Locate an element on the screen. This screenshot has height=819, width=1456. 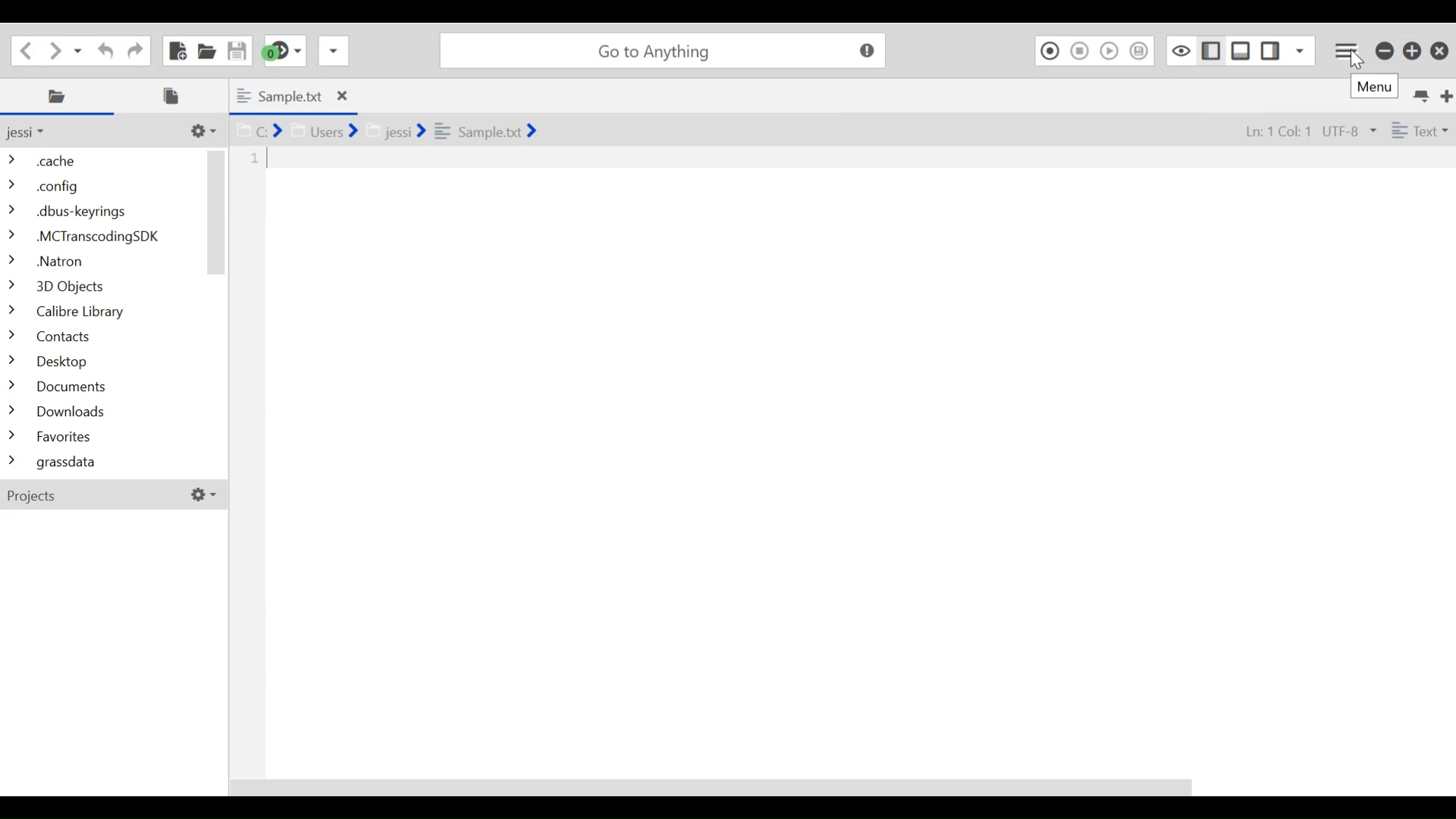
Show/Hide Right pane is located at coordinates (1209, 49).